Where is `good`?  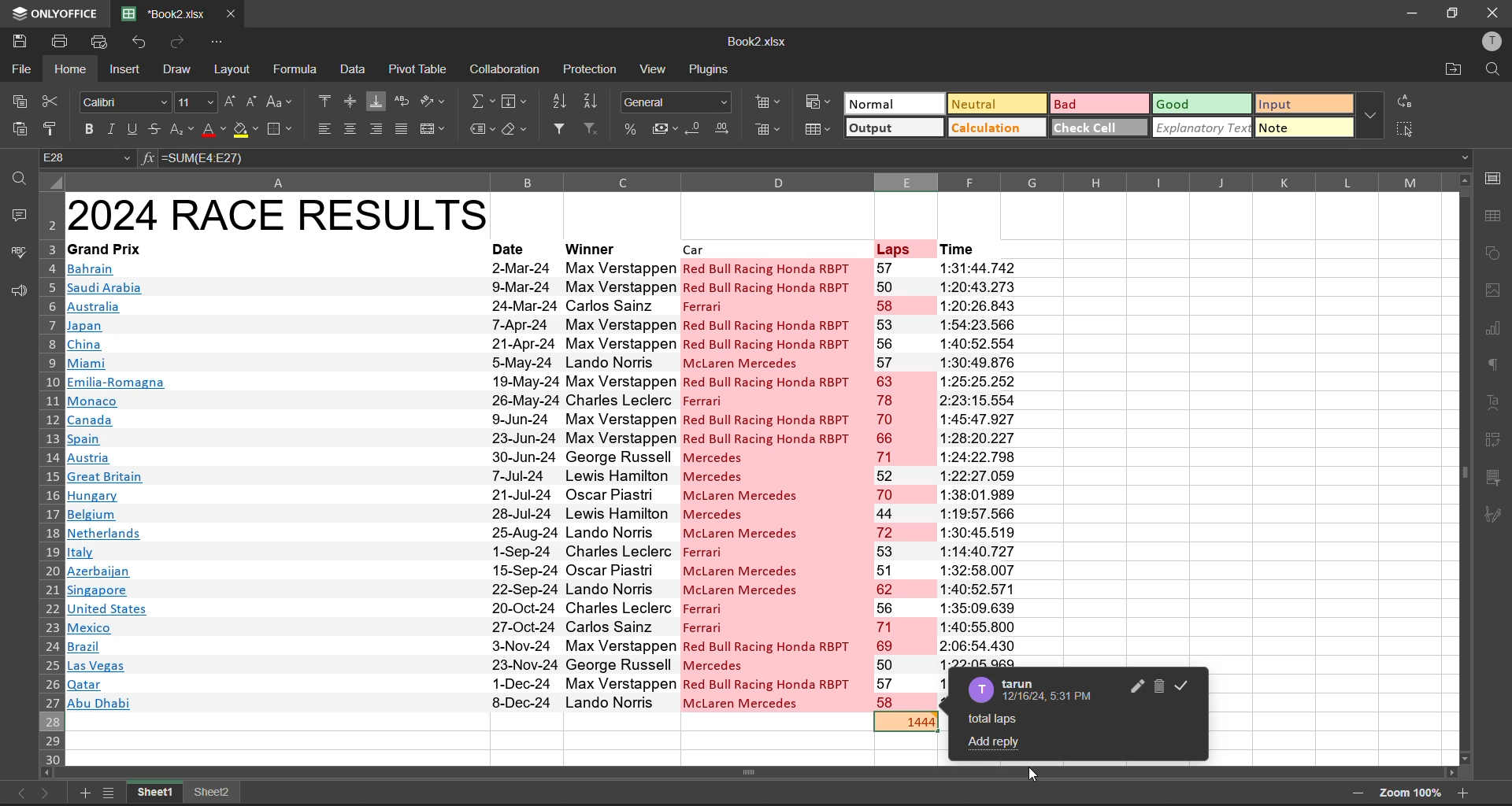 good is located at coordinates (1200, 103).